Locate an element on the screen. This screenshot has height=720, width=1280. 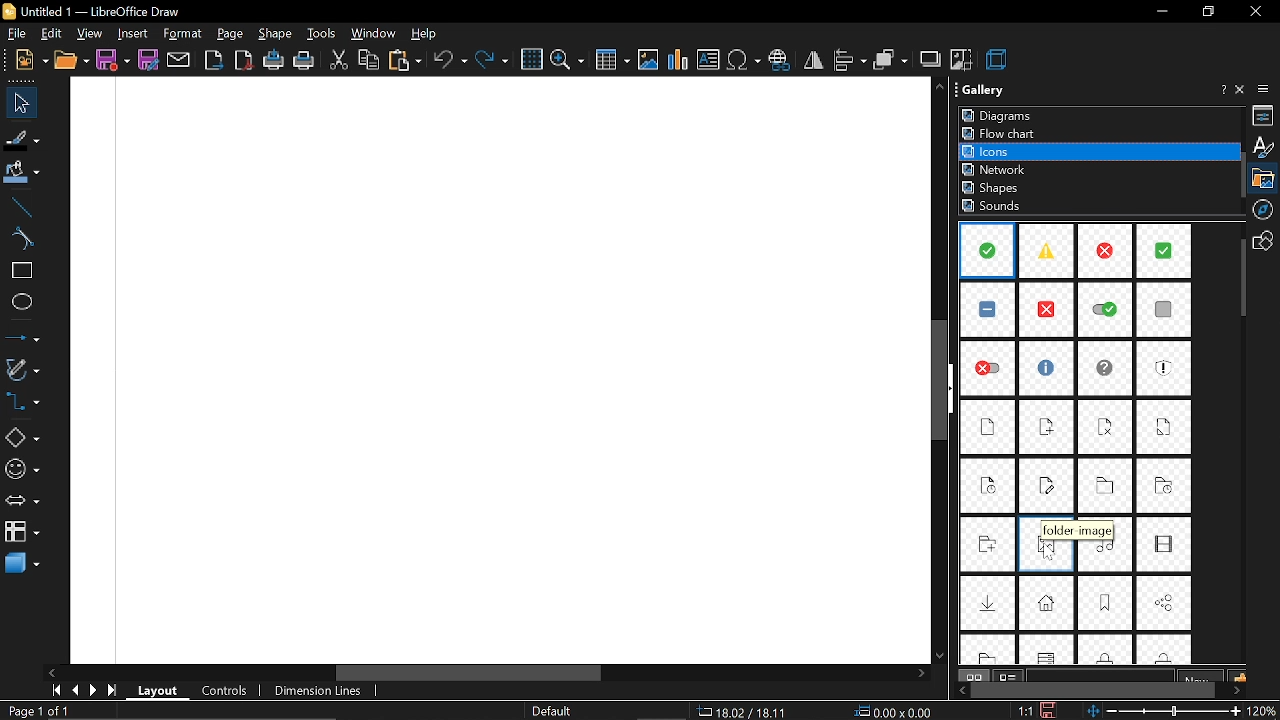
icons is located at coordinates (999, 151).